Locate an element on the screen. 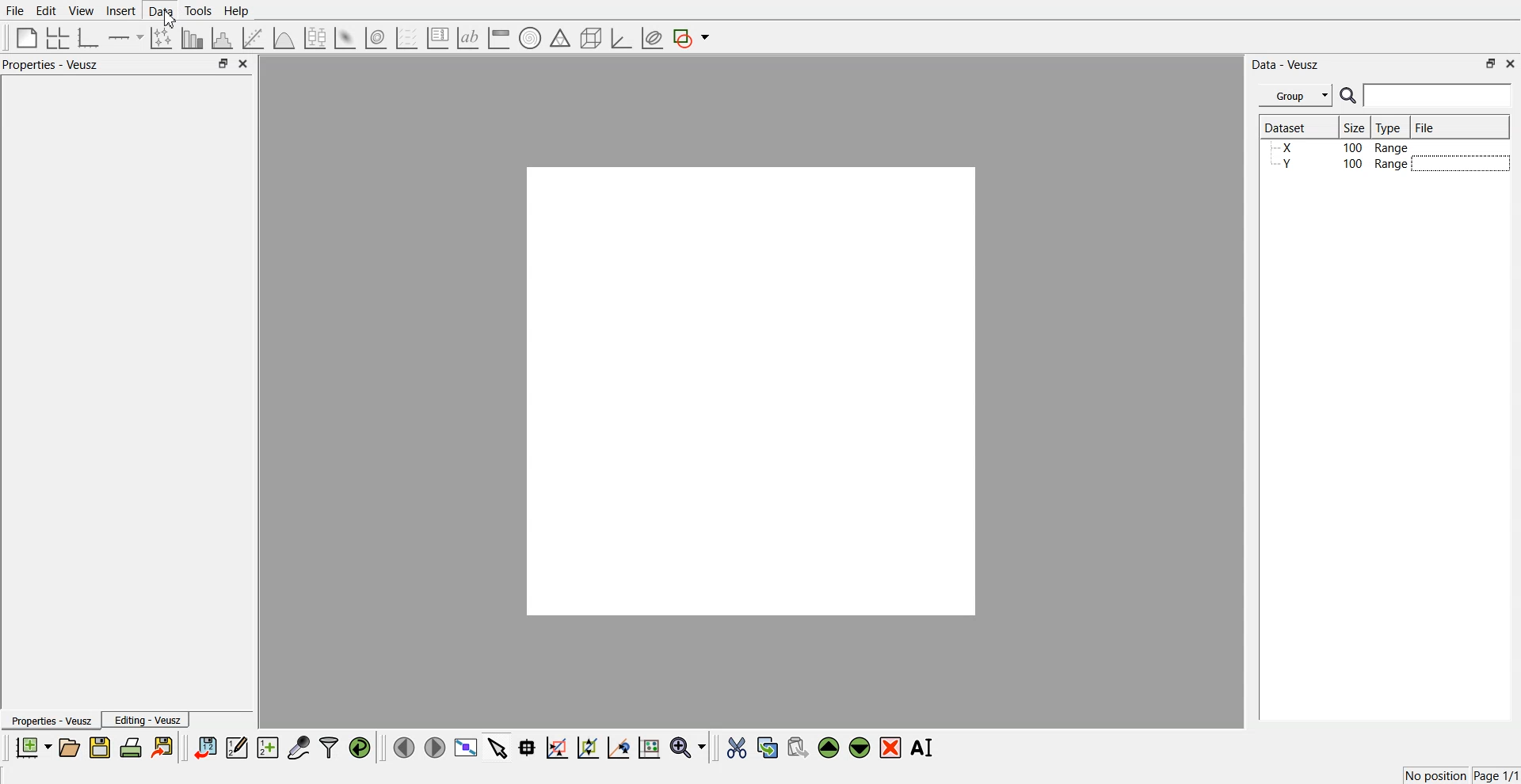  Plot key is located at coordinates (437, 38).